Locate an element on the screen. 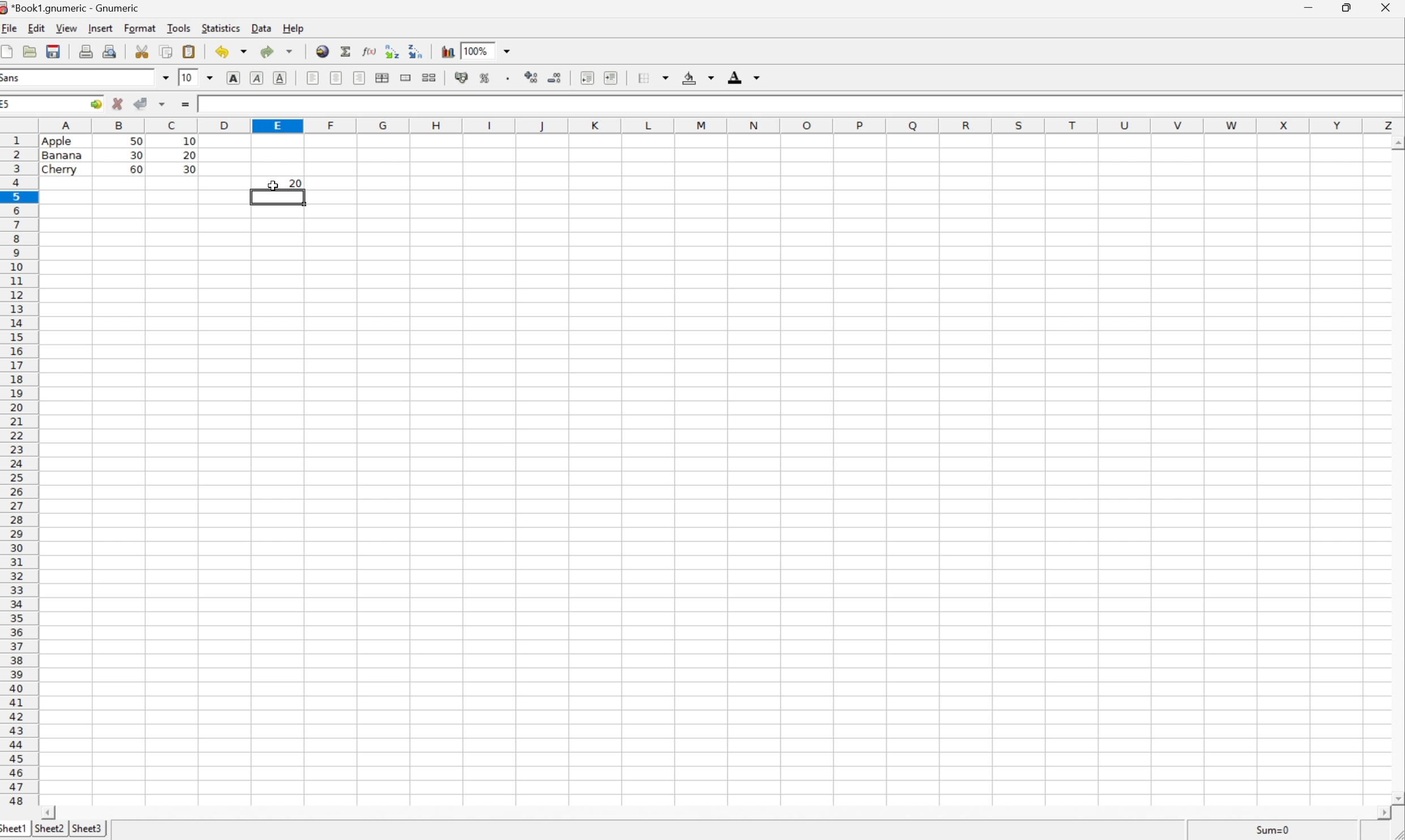  borders is located at coordinates (654, 78).